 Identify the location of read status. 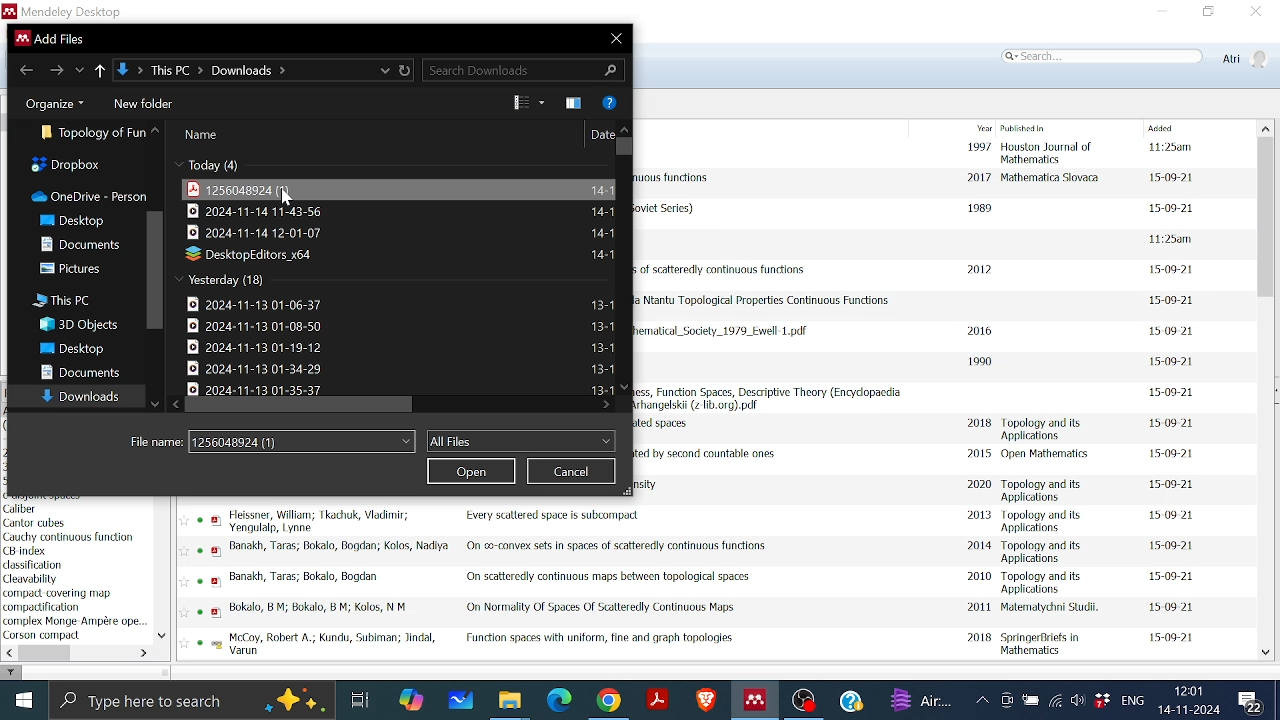
(204, 520).